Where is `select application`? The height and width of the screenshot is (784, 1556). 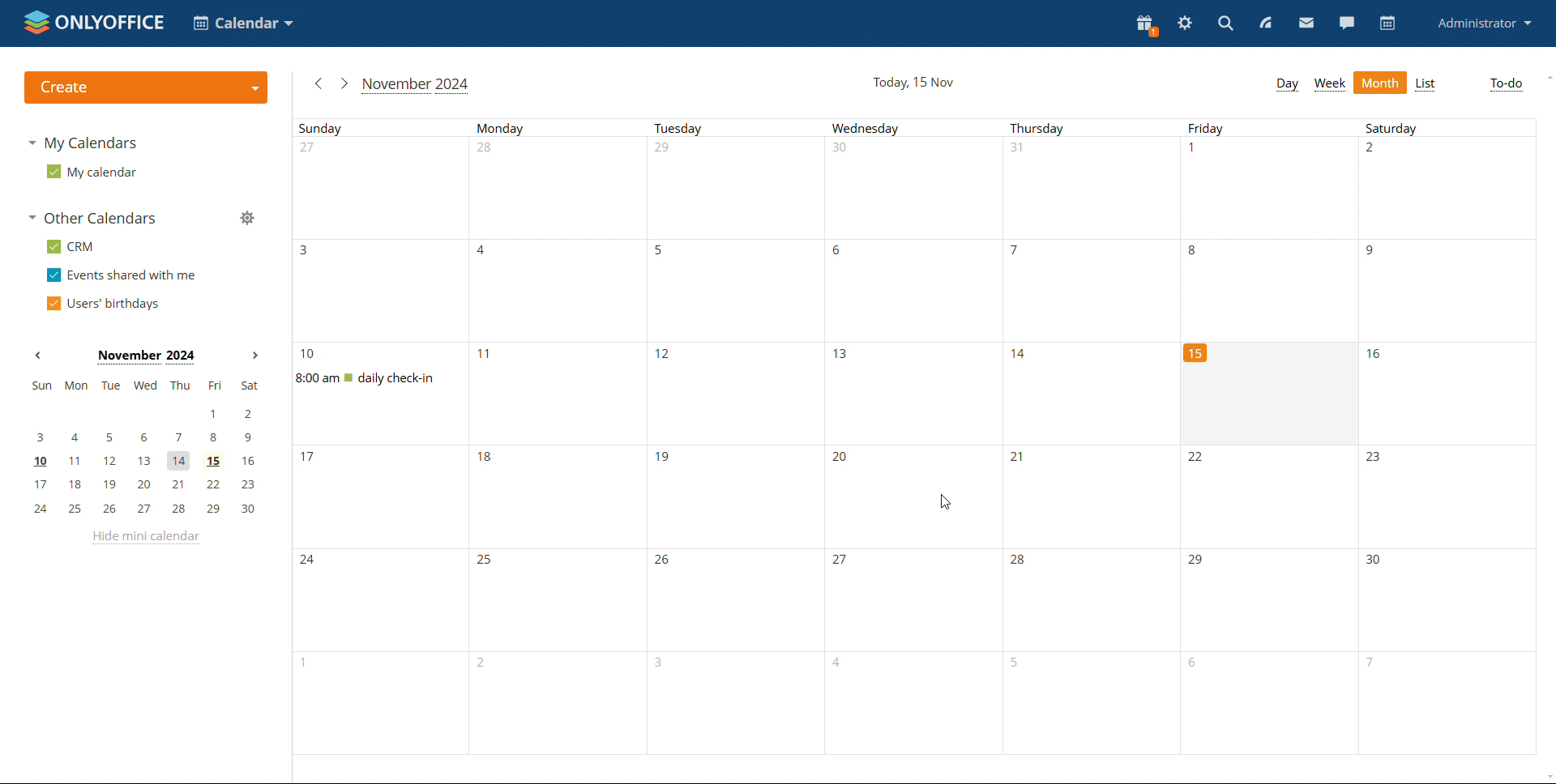 select application is located at coordinates (242, 23).